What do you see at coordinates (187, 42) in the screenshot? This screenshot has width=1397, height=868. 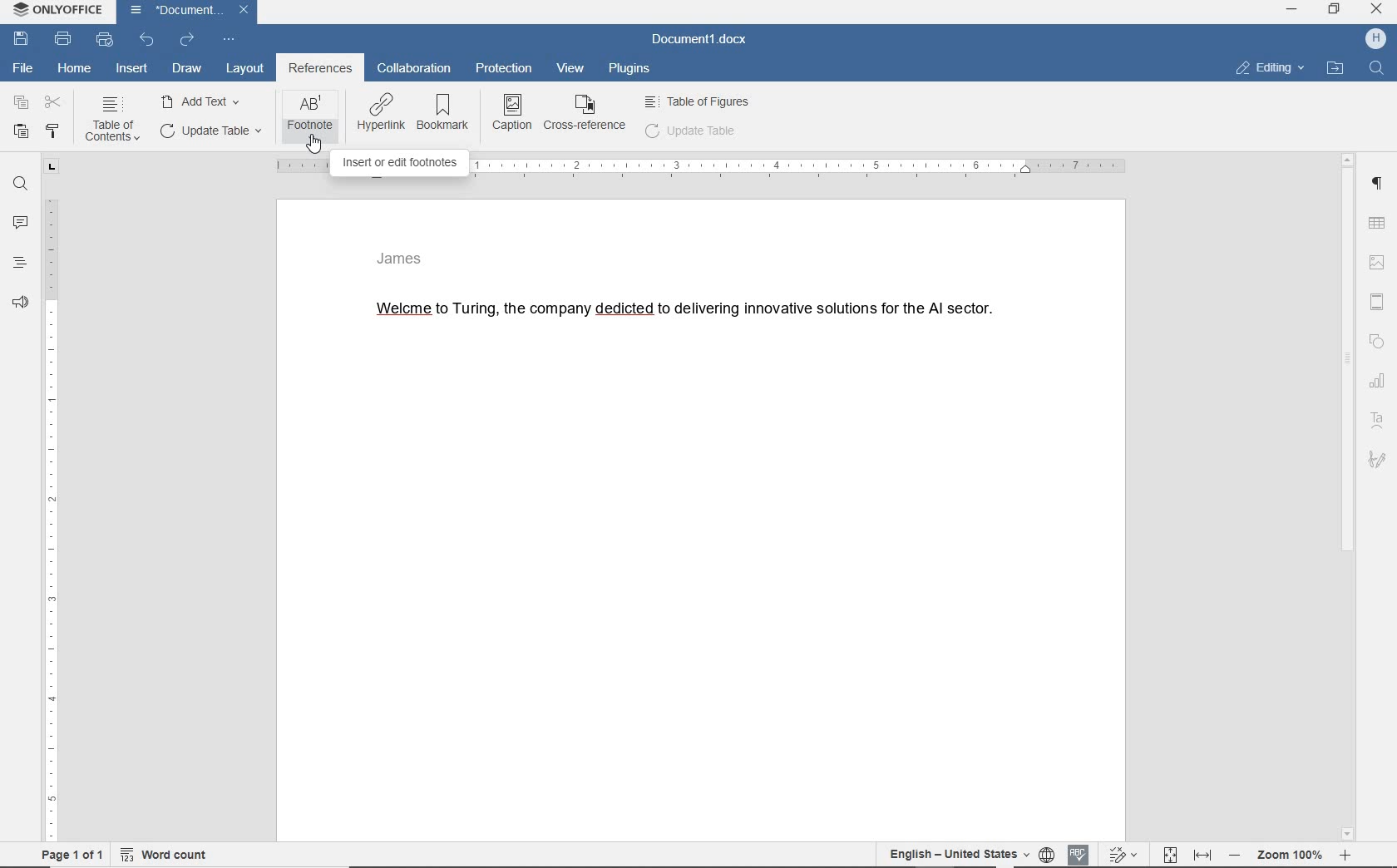 I see `redo` at bounding box center [187, 42].